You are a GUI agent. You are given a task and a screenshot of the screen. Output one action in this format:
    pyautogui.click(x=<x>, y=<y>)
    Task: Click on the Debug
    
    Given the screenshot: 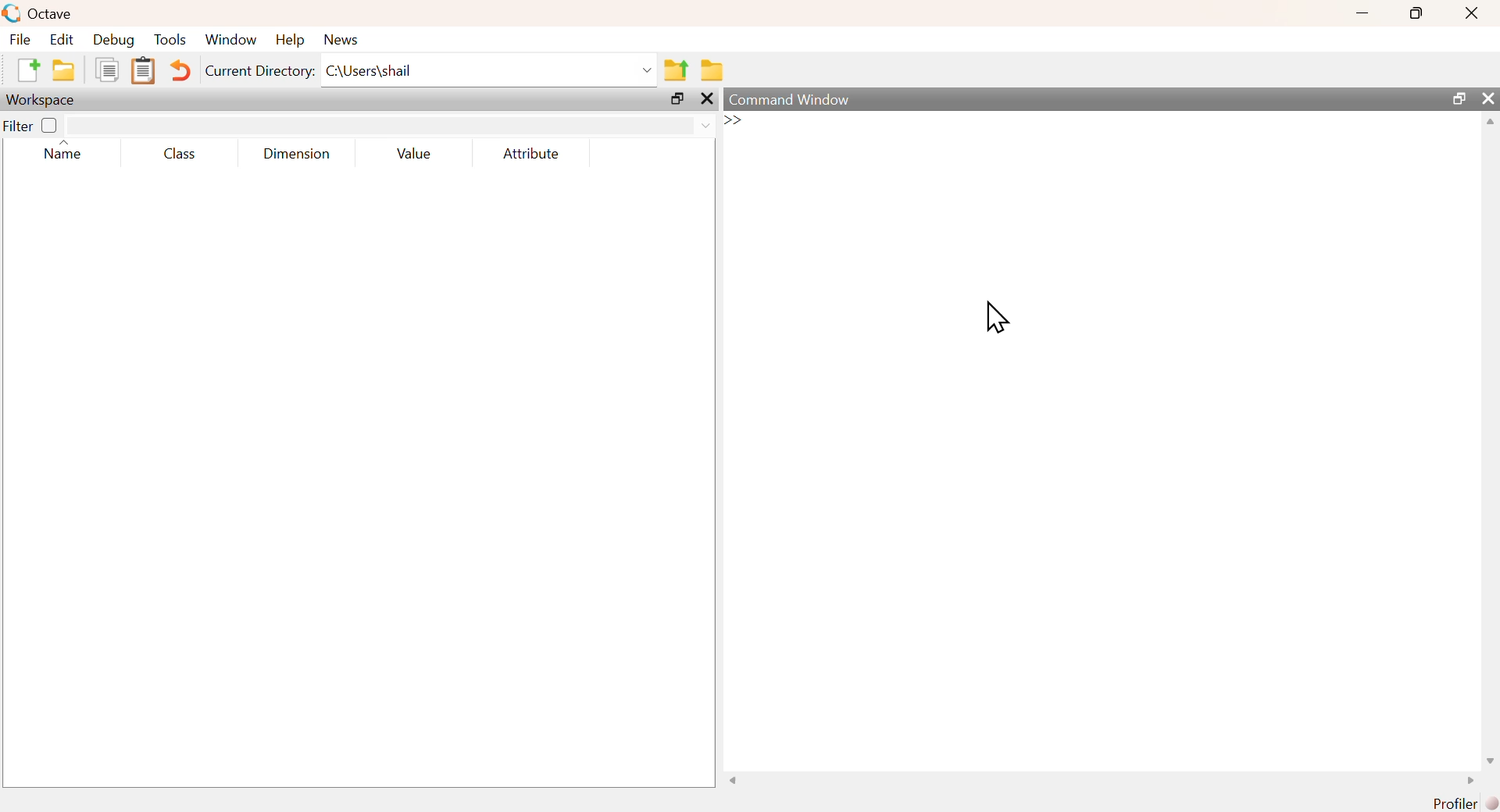 What is the action you would take?
    pyautogui.click(x=114, y=40)
    